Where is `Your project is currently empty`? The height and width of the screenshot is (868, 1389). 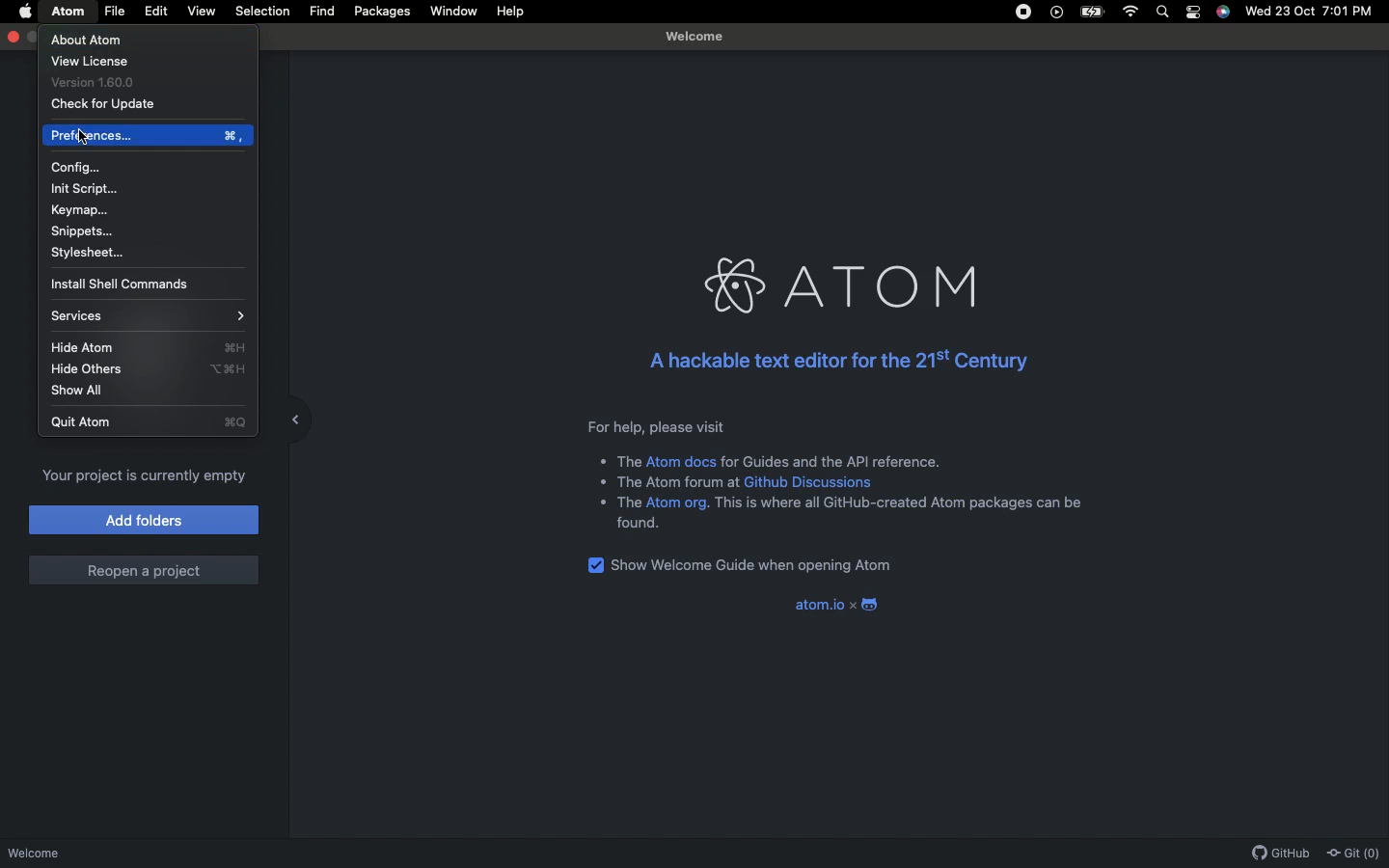
Your project is currently empty is located at coordinates (146, 475).